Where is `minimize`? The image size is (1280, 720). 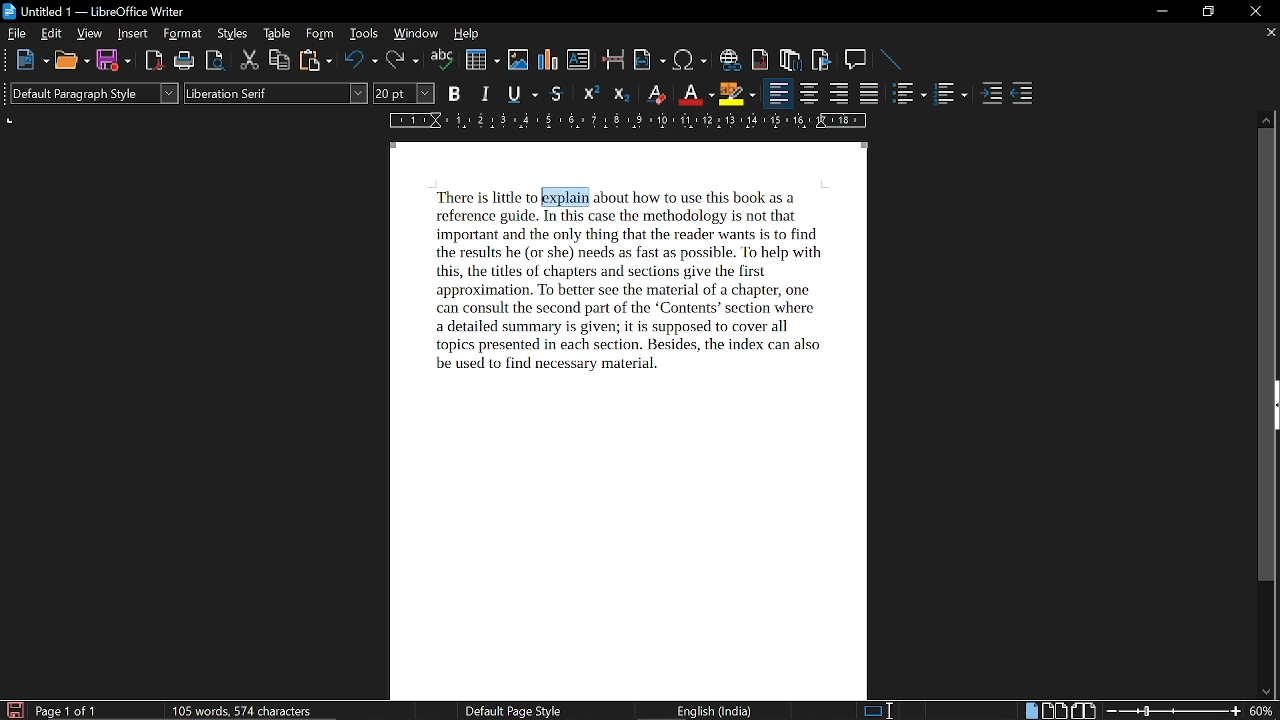
minimize is located at coordinates (1163, 11).